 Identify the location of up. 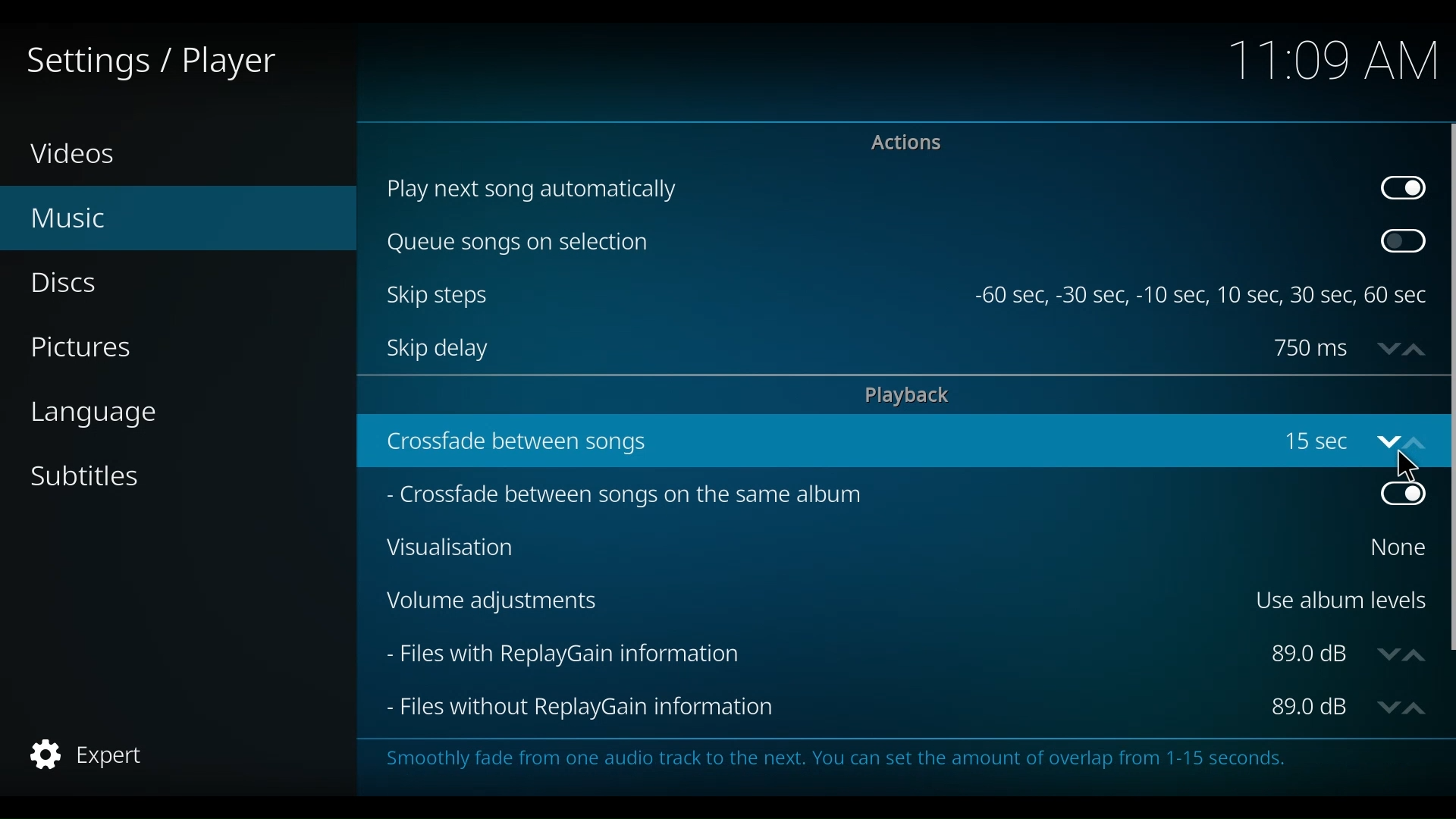
(1417, 347).